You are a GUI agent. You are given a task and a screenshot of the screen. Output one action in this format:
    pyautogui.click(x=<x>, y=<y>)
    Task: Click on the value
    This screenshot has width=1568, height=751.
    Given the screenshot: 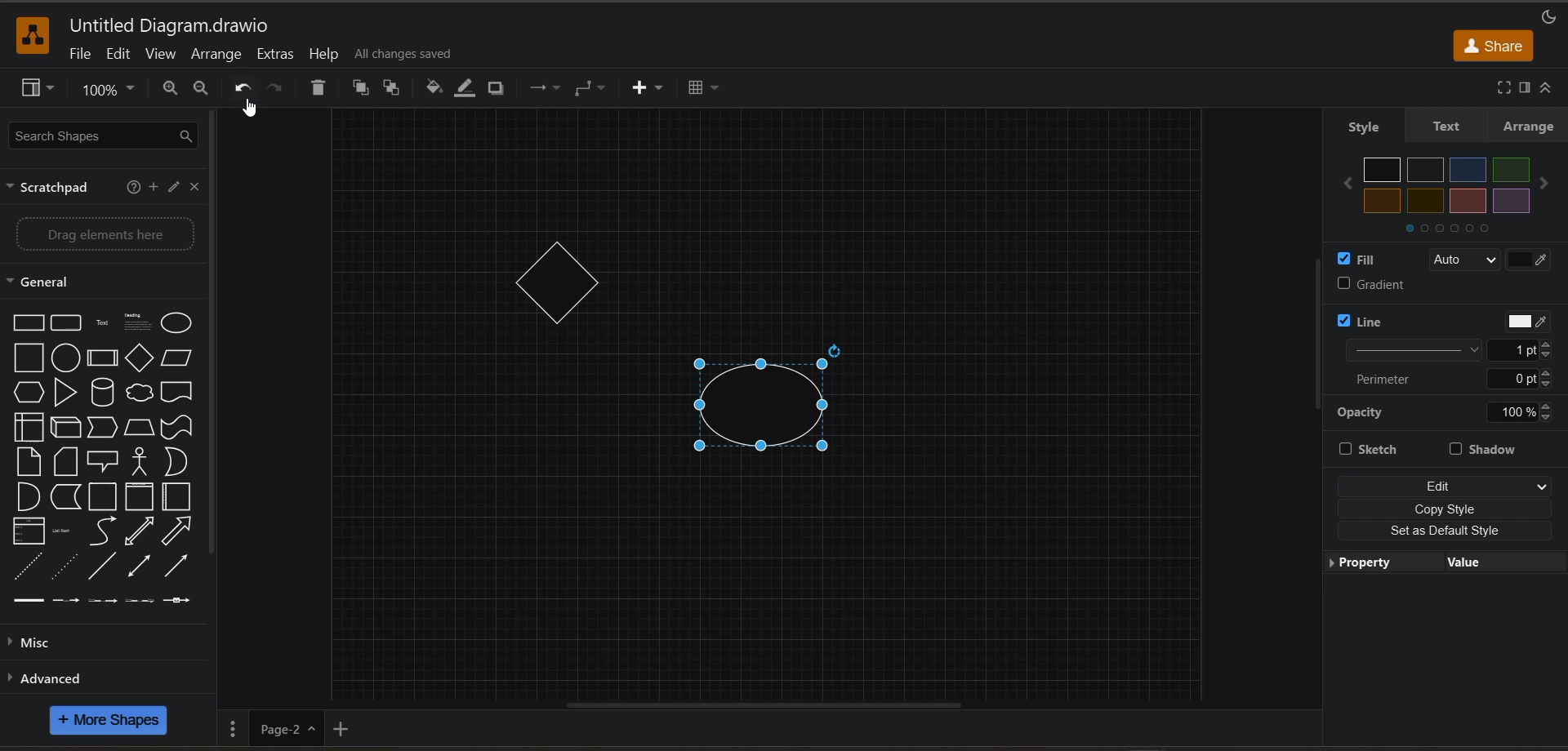 What is the action you would take?
    pyautogui.click(x=1499, y=559)
    